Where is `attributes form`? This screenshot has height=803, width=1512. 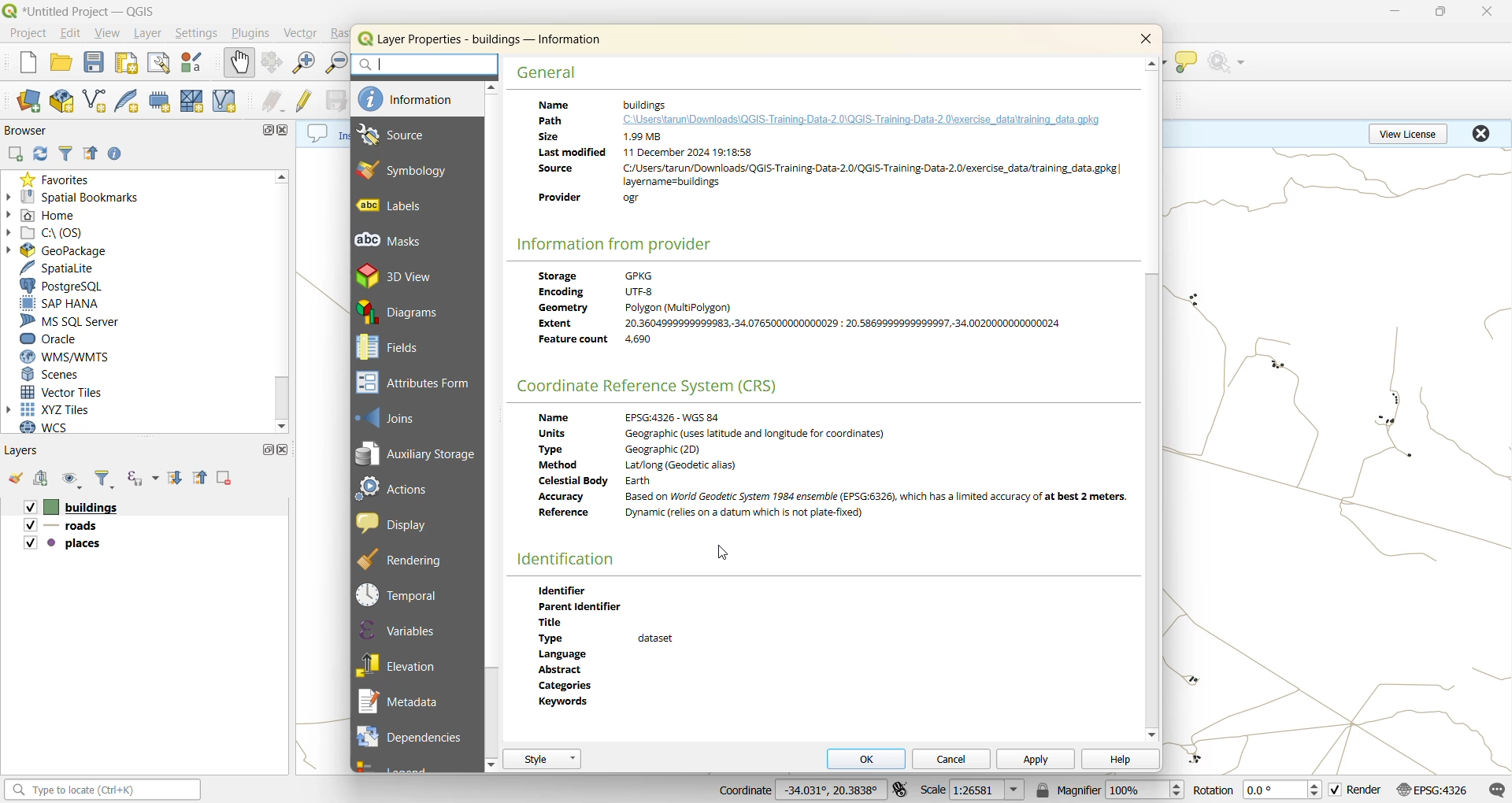
attributes form is located at coordinates (415, 381).